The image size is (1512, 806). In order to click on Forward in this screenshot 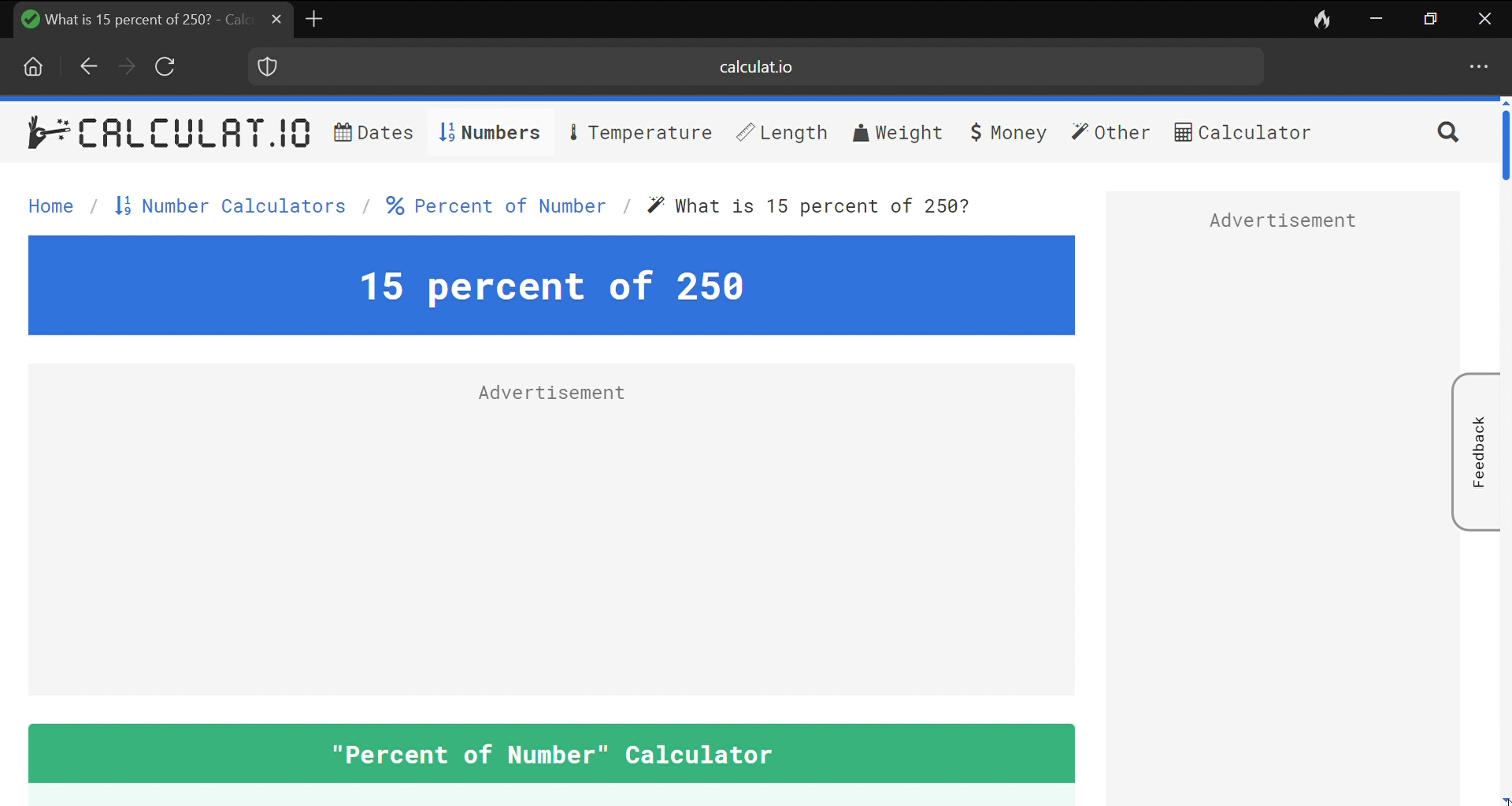, I will do `click(127, 66)`.